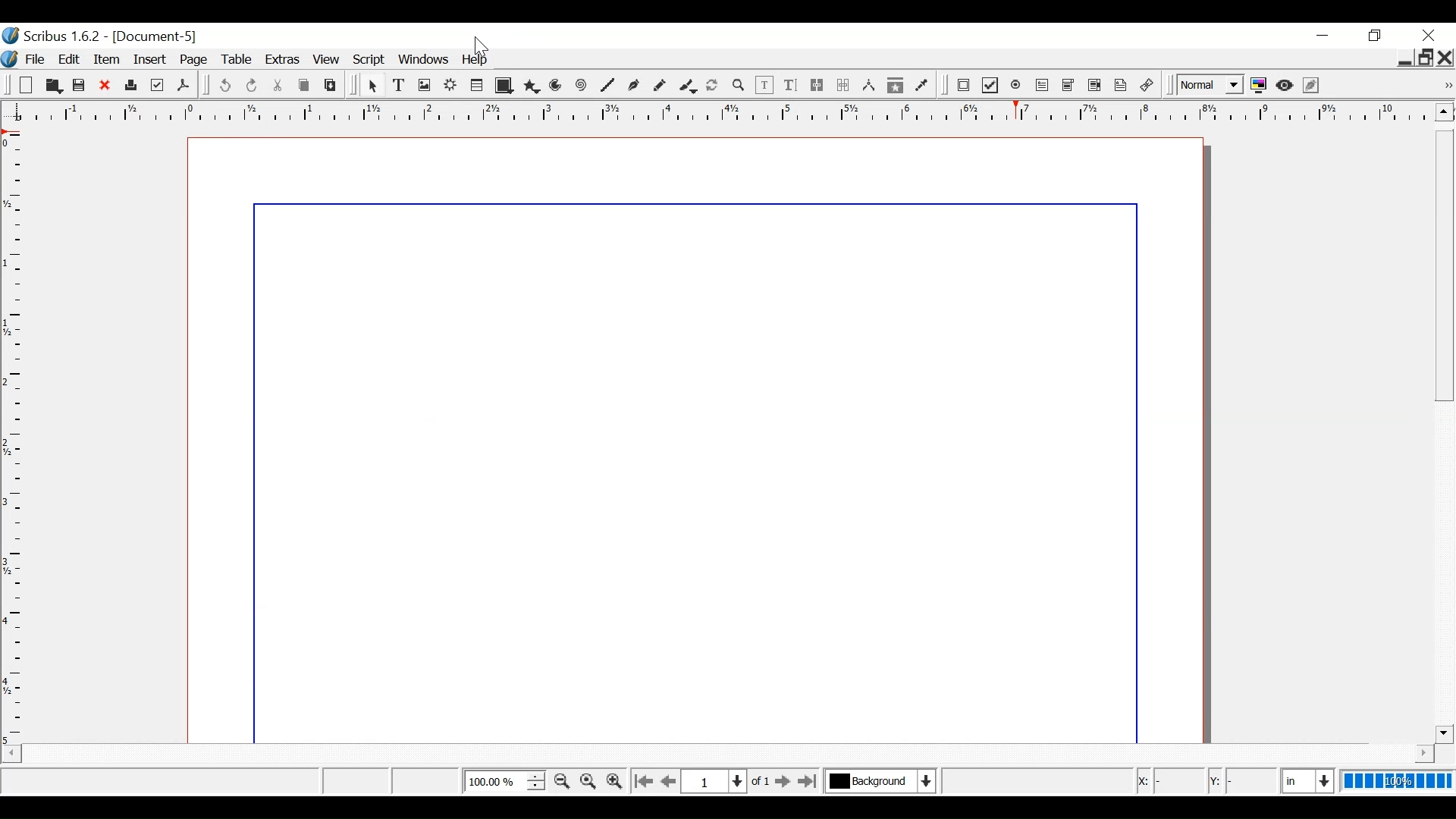 The height and width of the screenshot is (819, 1456). I want to click on Edit Contents of frame, so click(764, 86).